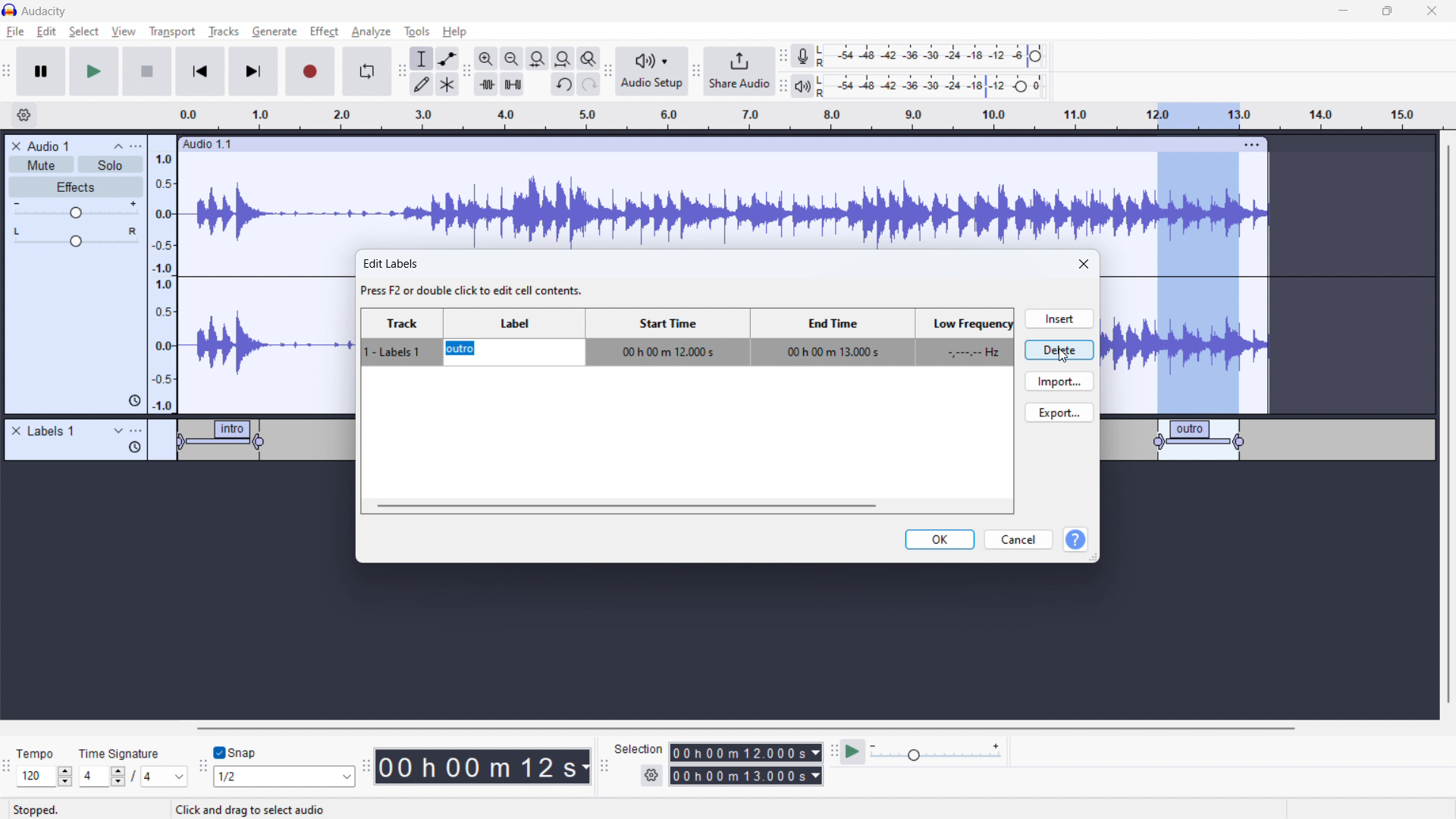 The width and height of the screenshot is (1456, 819). What do you see at coordinates (1075, 541) in the screenshot?
I see `help` at bounding box center [1075, 541].